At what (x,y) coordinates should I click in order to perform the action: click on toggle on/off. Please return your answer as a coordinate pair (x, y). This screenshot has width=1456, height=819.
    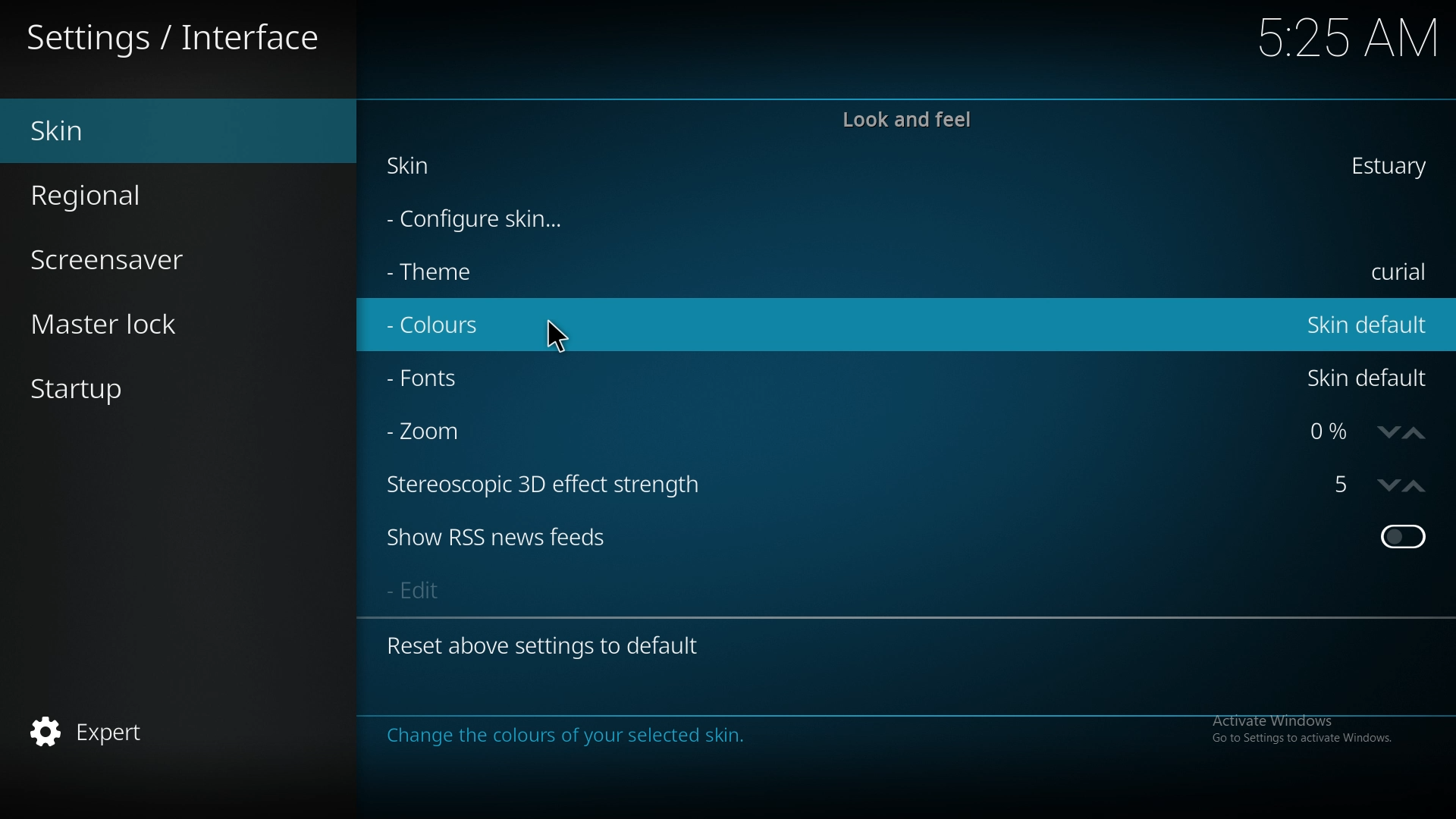
    Looking at the image, I should click on (1403, 539).